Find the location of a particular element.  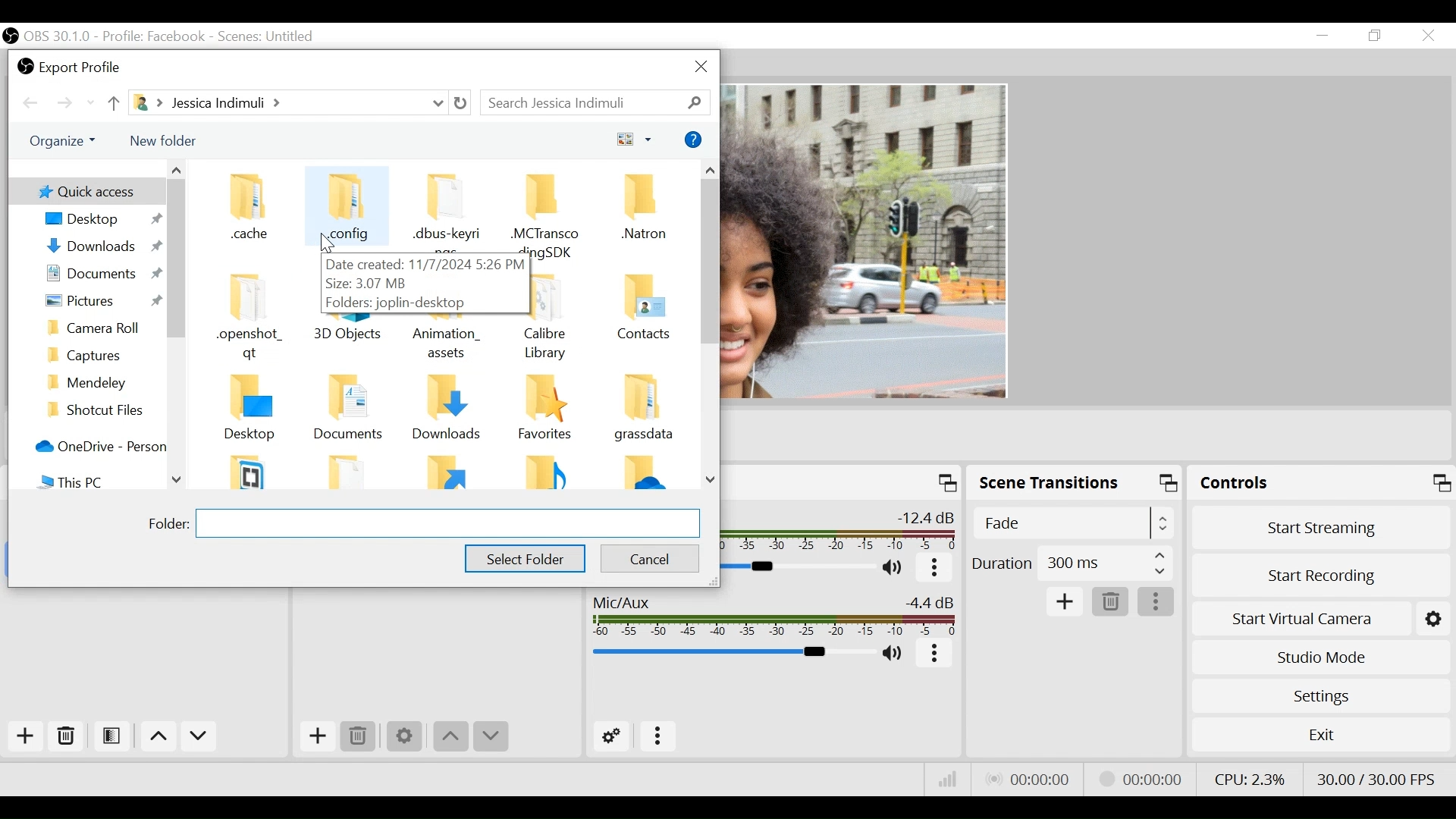

Select Scene Transition is located at coordinates (1073, 525).